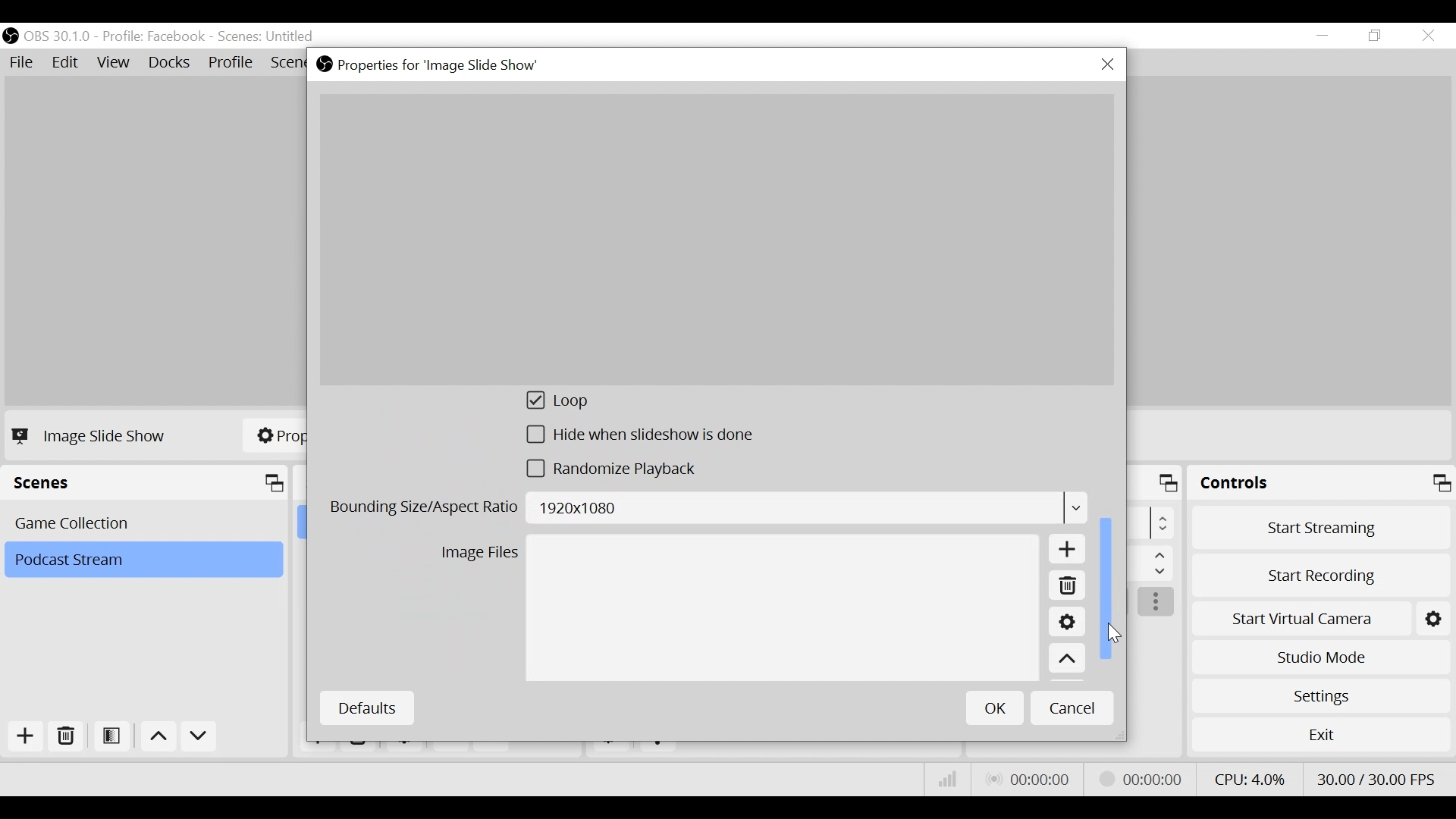 This screenshot has width=1456, height=819. Describe the element at coordinates (1321, 616) in the screenshot. I see `Start Virtual Camera` at that location.